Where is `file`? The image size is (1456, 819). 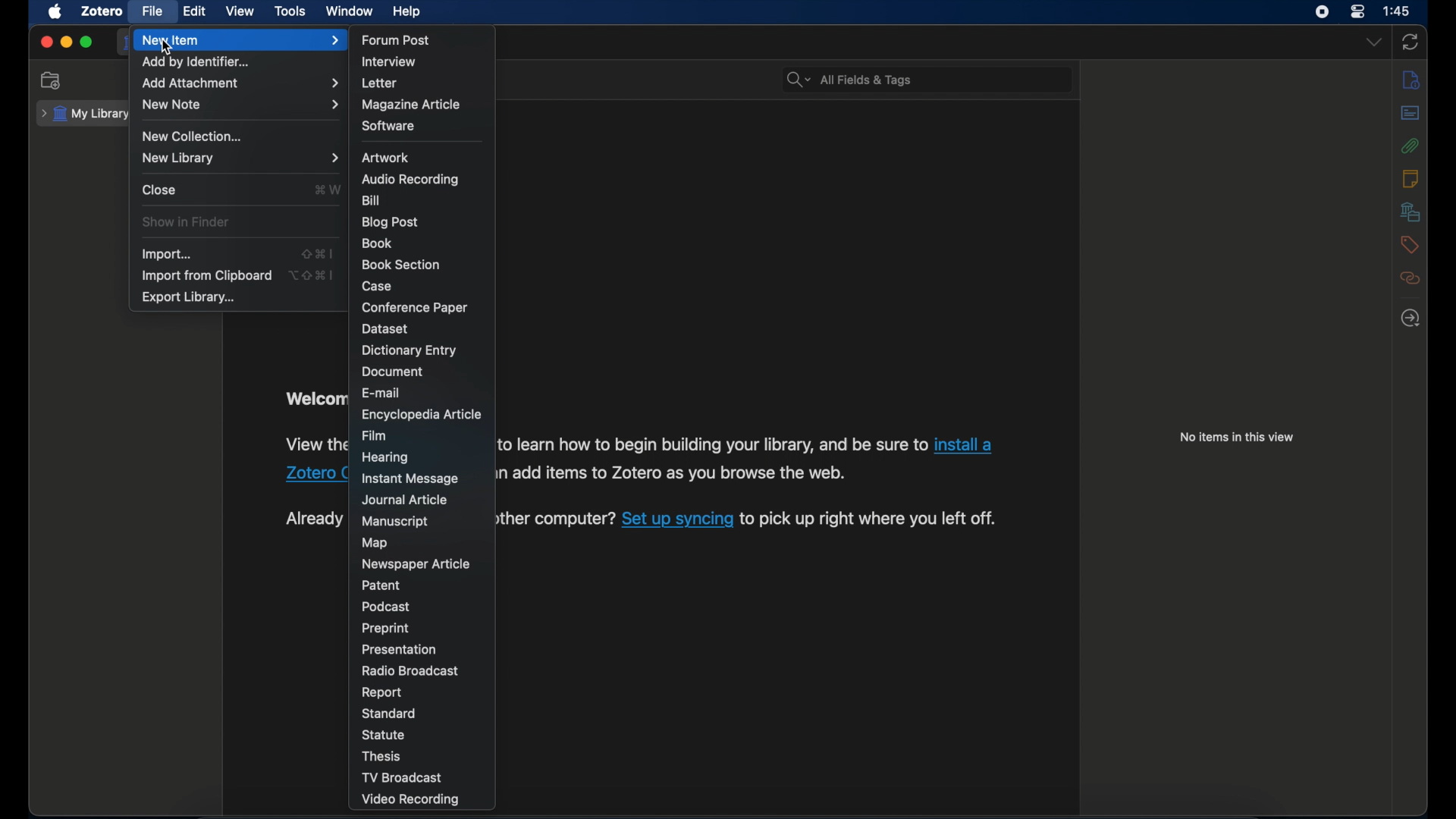 file is located at coordinates (153, 11).